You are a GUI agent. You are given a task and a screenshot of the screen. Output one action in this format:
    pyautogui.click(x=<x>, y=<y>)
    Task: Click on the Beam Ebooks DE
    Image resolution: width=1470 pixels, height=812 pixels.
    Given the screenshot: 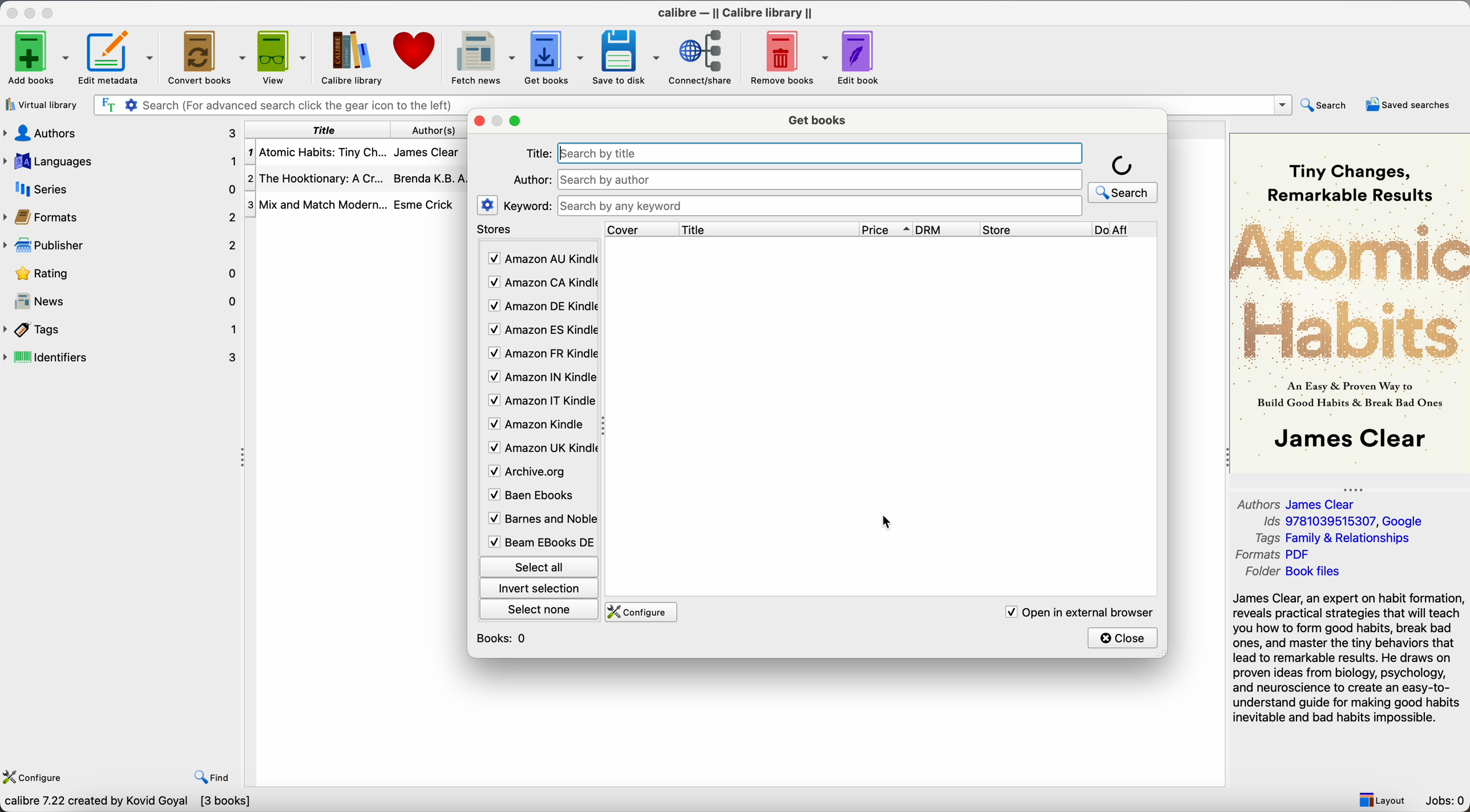 What is the action you would take?
    pyautogui.click(x=539, y=542)
    